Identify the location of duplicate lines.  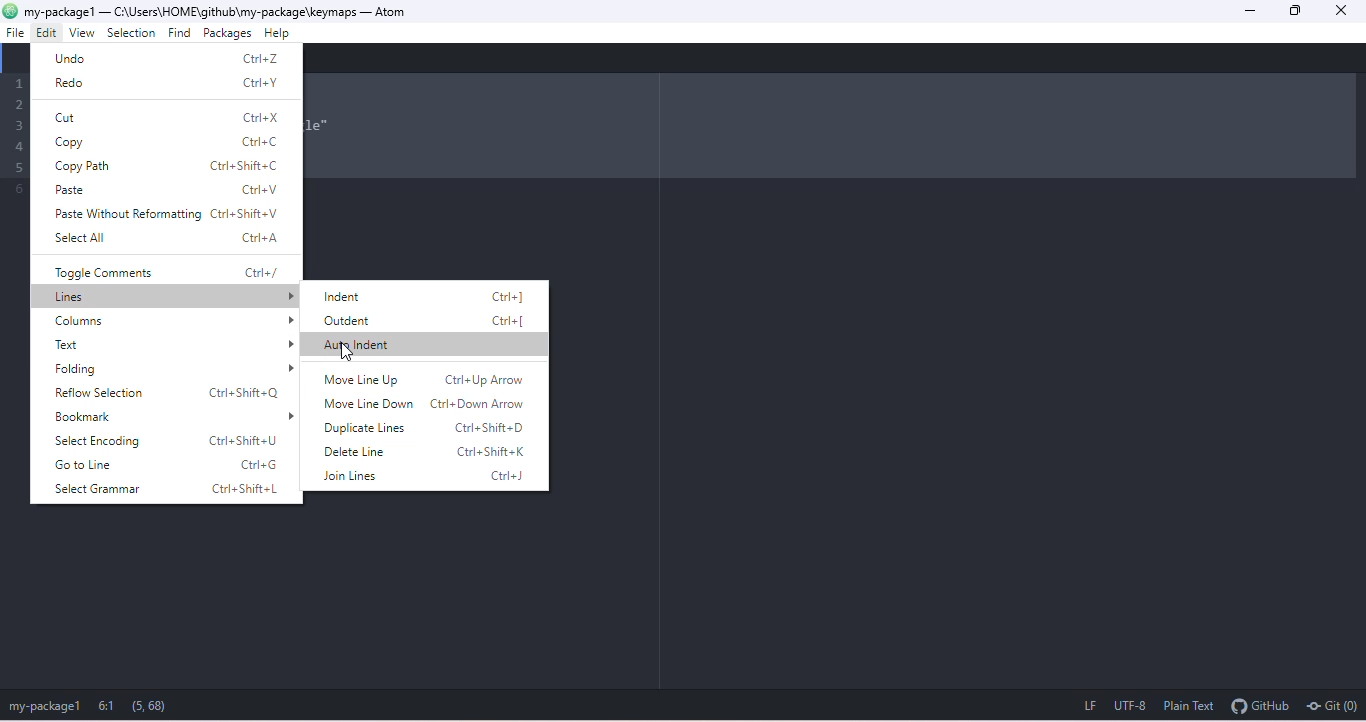
(428, 428).